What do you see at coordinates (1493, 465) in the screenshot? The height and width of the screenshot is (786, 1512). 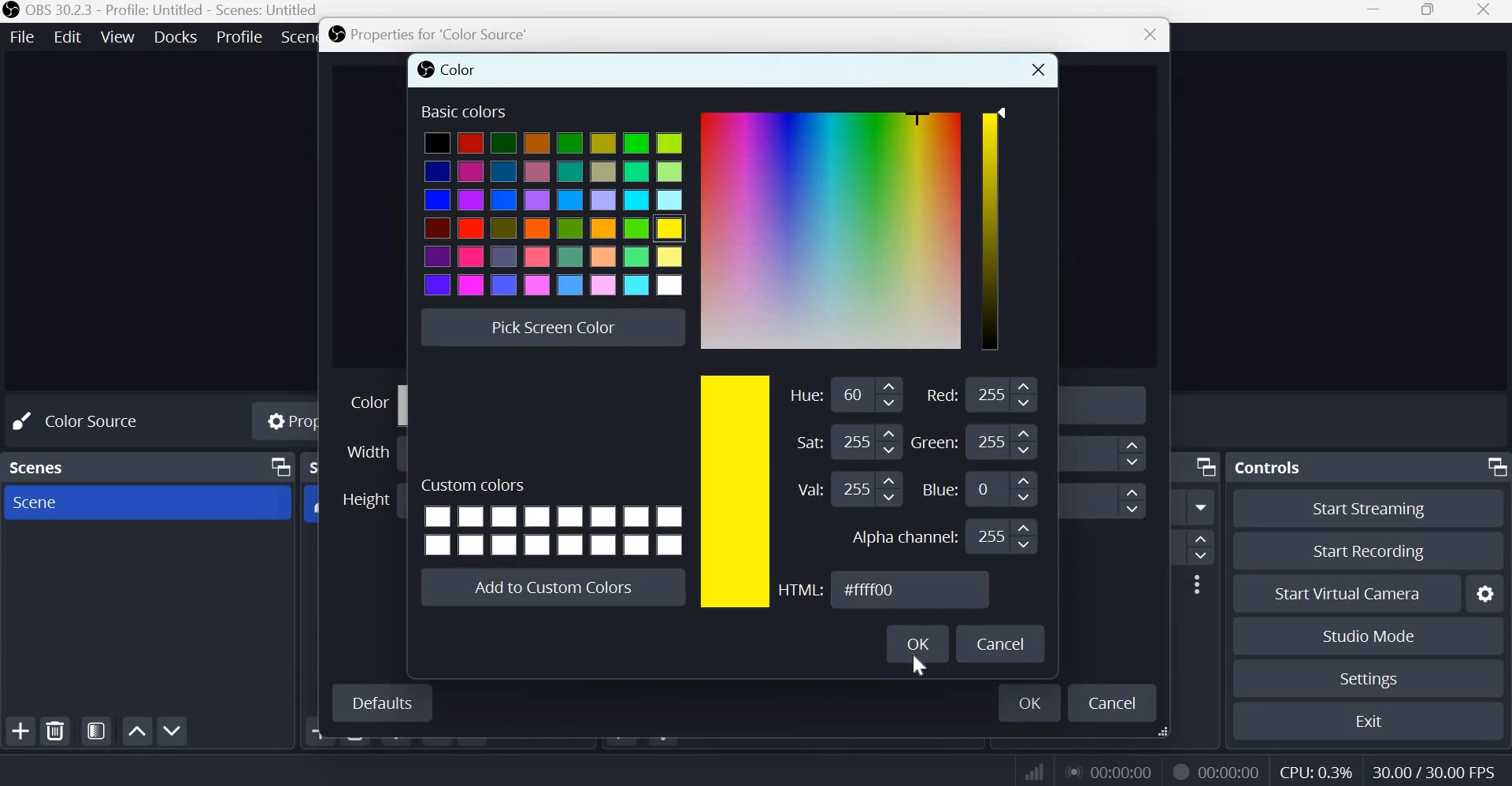 I see `Dock Options icon` at bounding box center [1493, 465].